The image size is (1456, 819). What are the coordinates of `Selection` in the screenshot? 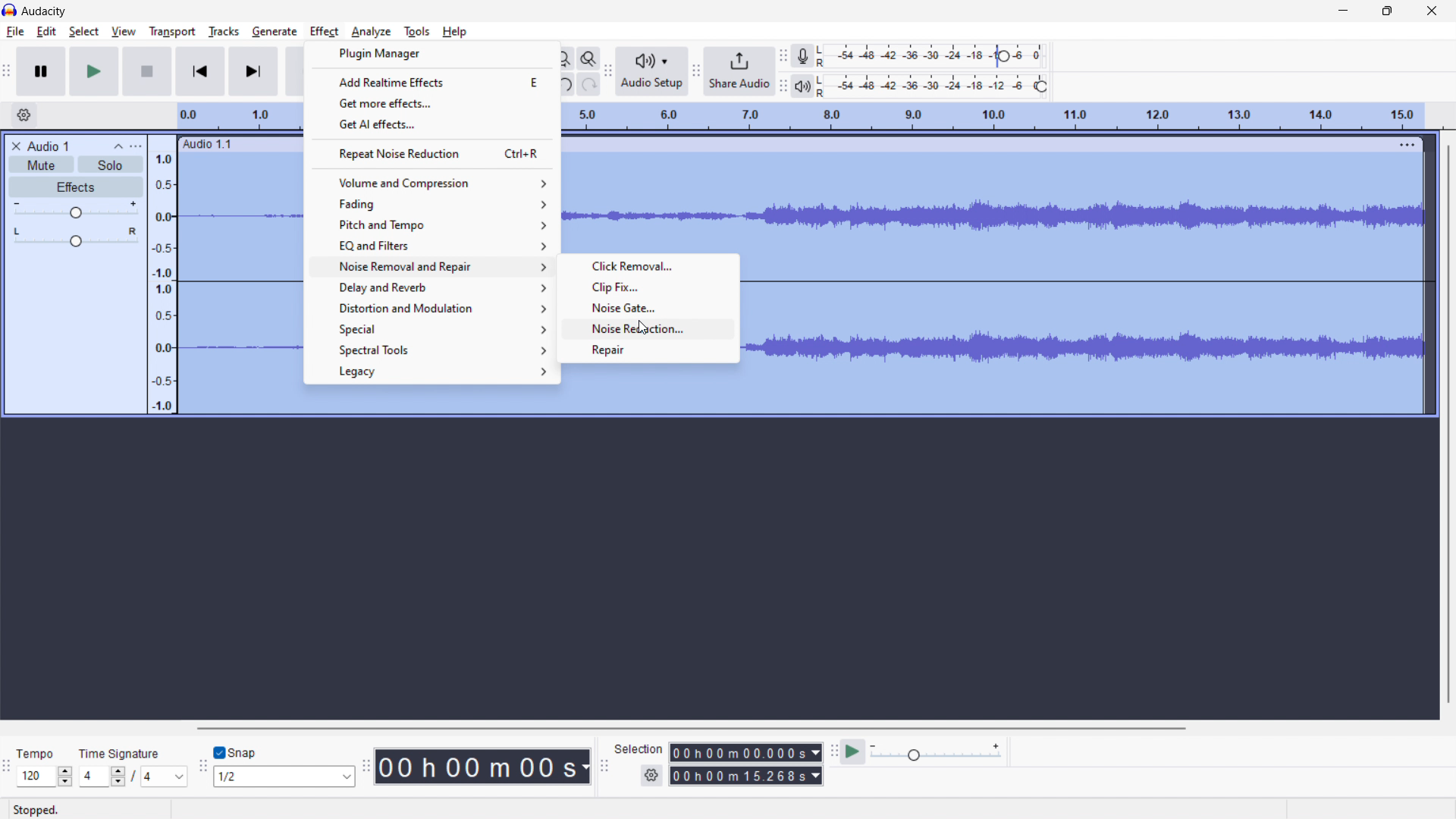 It's located at (639, 749).